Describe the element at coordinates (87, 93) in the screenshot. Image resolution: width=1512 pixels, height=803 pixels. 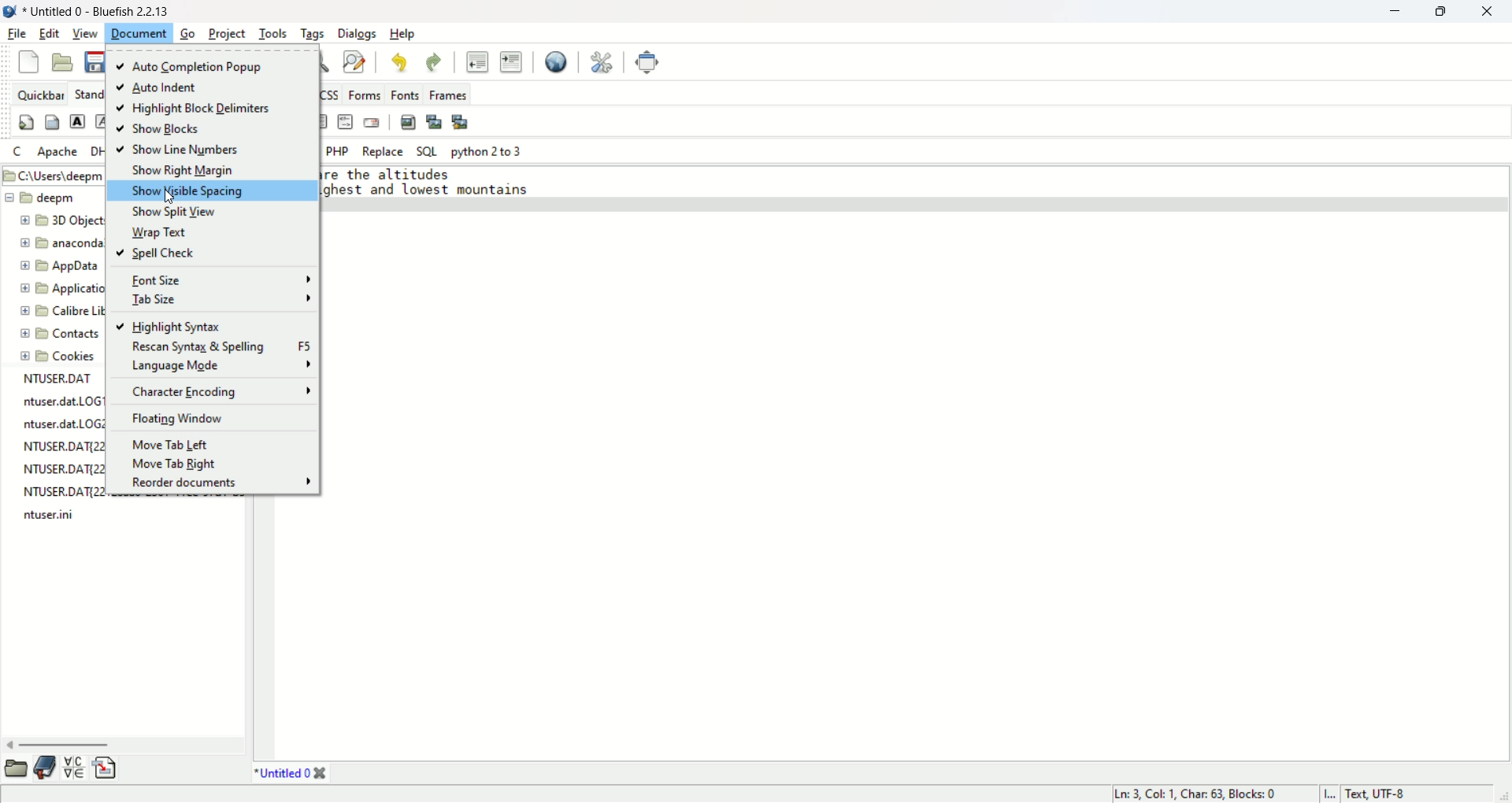
I see `standard` at that location.